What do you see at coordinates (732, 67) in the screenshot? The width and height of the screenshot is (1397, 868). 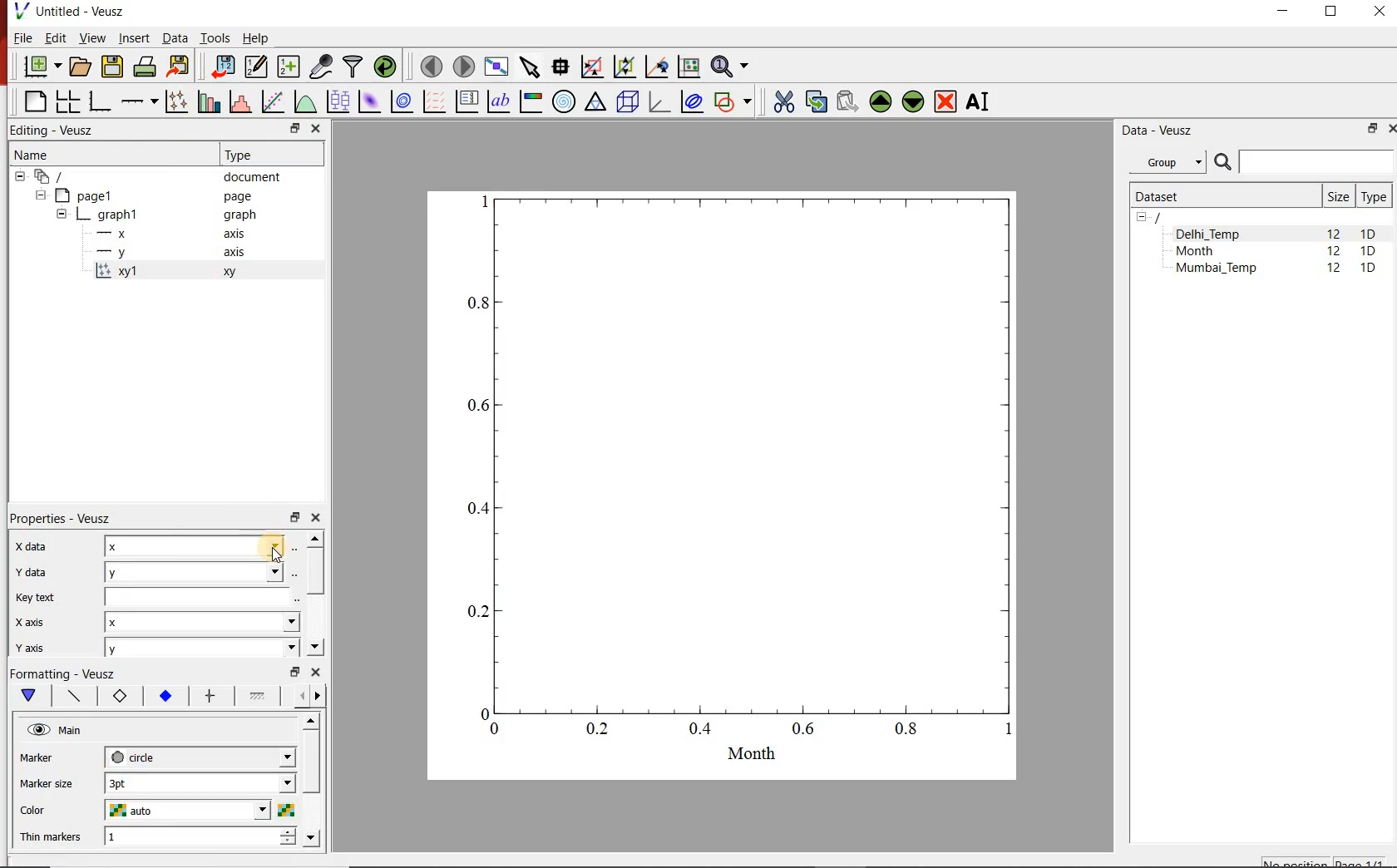 I see `zoom functions menu` at bounding box center [732, 67].